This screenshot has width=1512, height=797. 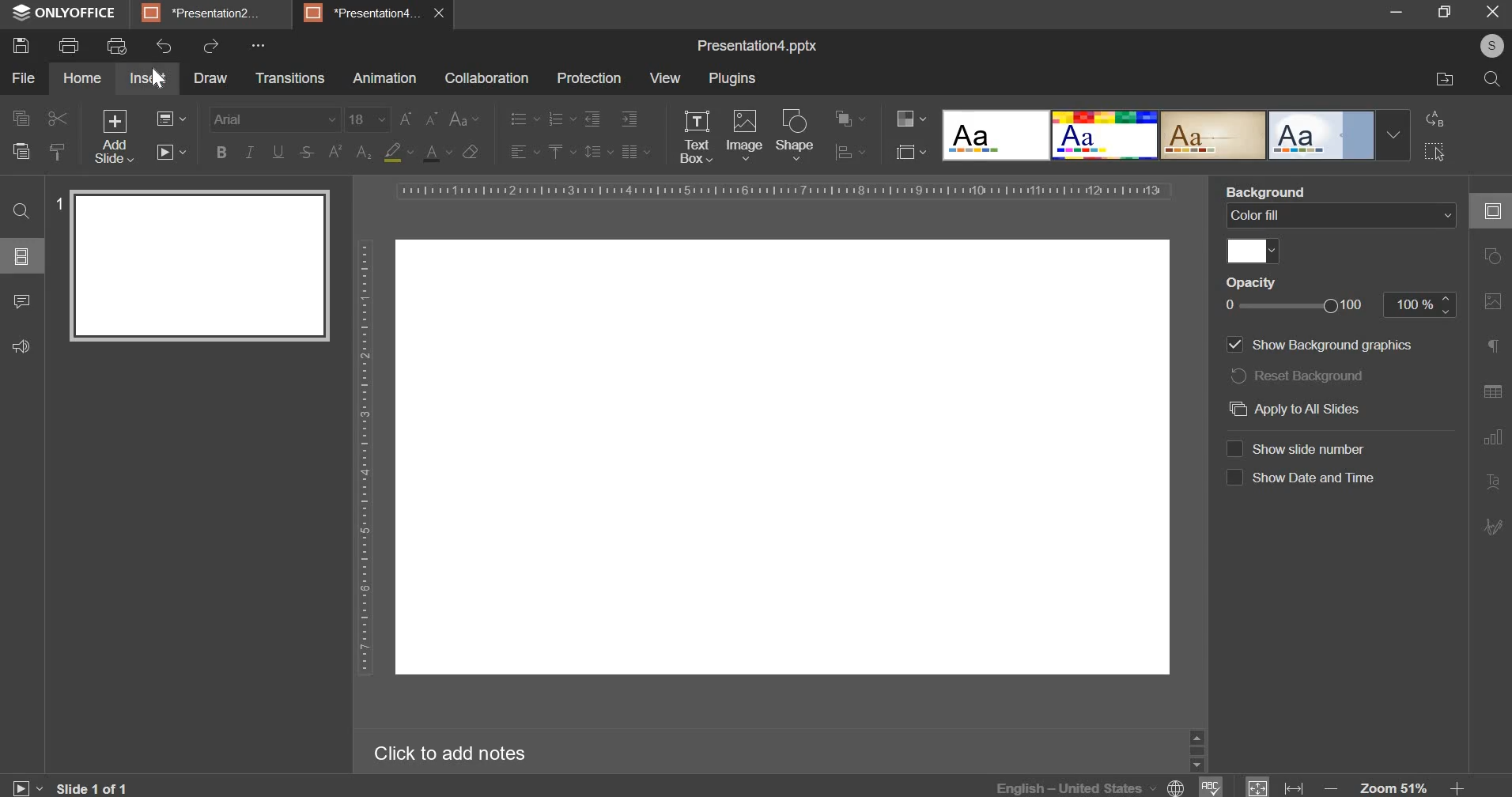 What do you see at coordinates (1297, 408) in the screenshot?
I see `apply to all slides` at bounding box center [1297, 408].